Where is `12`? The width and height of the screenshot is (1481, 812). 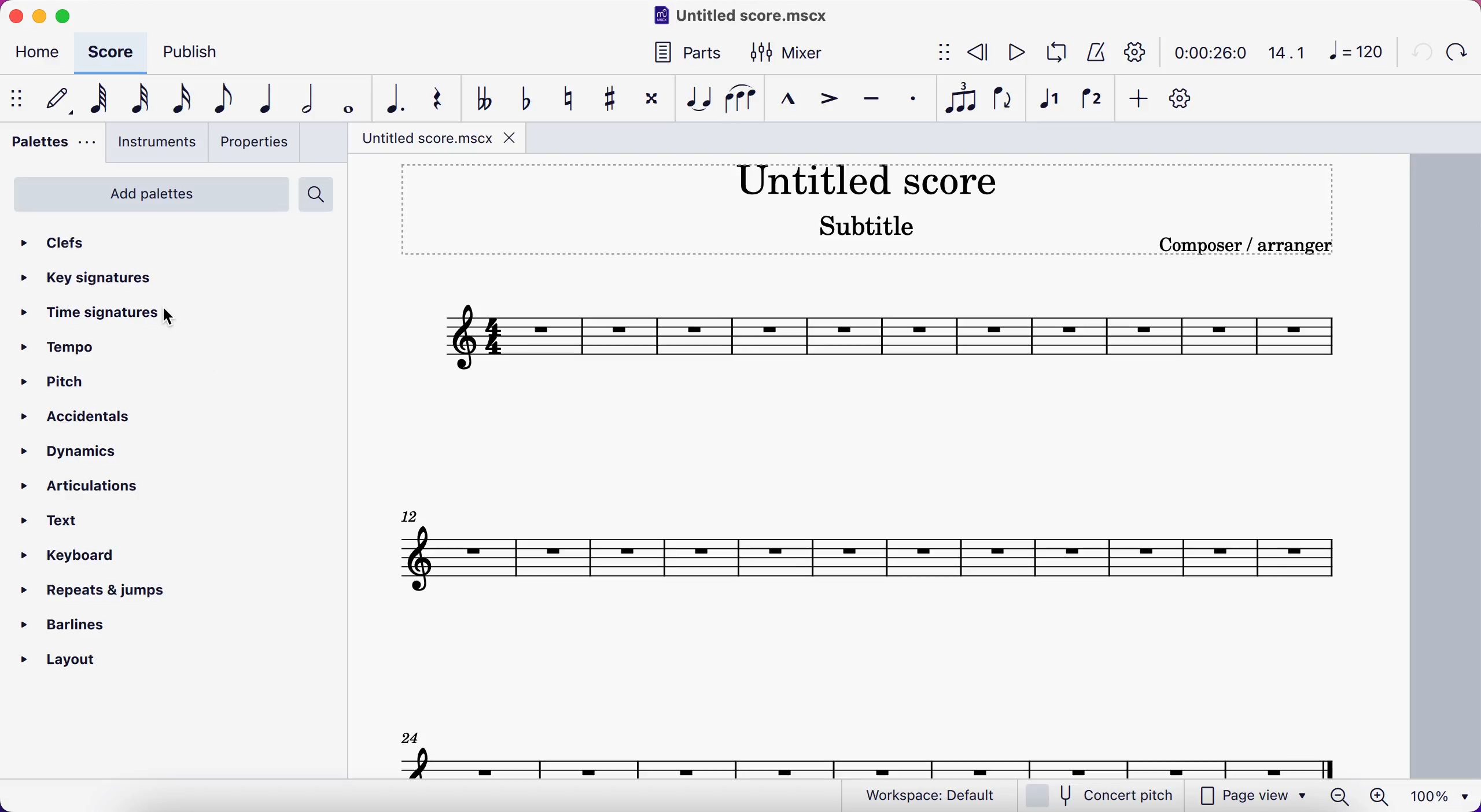 12 is located at coordinates (411, 515).